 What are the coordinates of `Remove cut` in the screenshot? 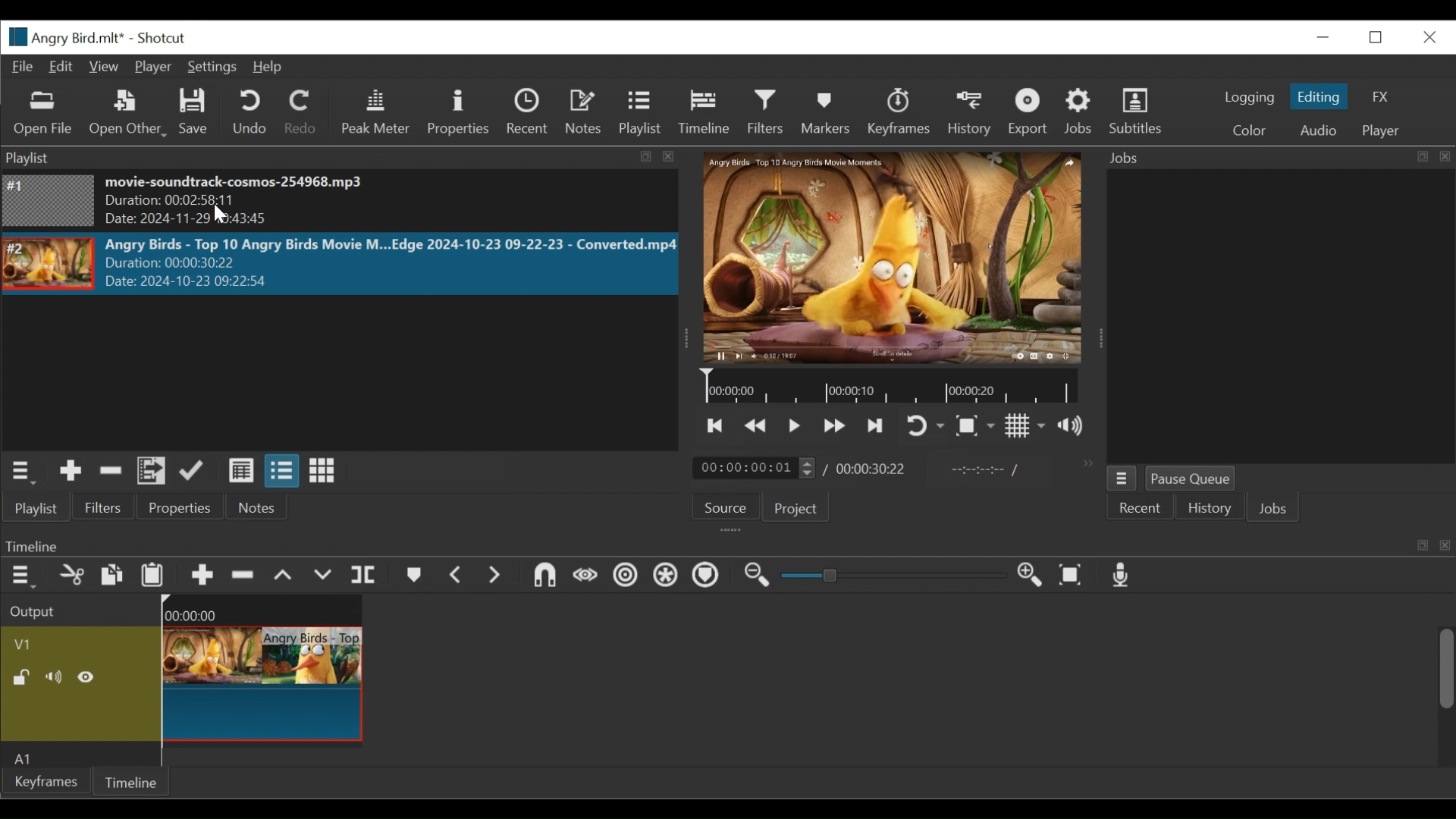 It's located at (111, 472).